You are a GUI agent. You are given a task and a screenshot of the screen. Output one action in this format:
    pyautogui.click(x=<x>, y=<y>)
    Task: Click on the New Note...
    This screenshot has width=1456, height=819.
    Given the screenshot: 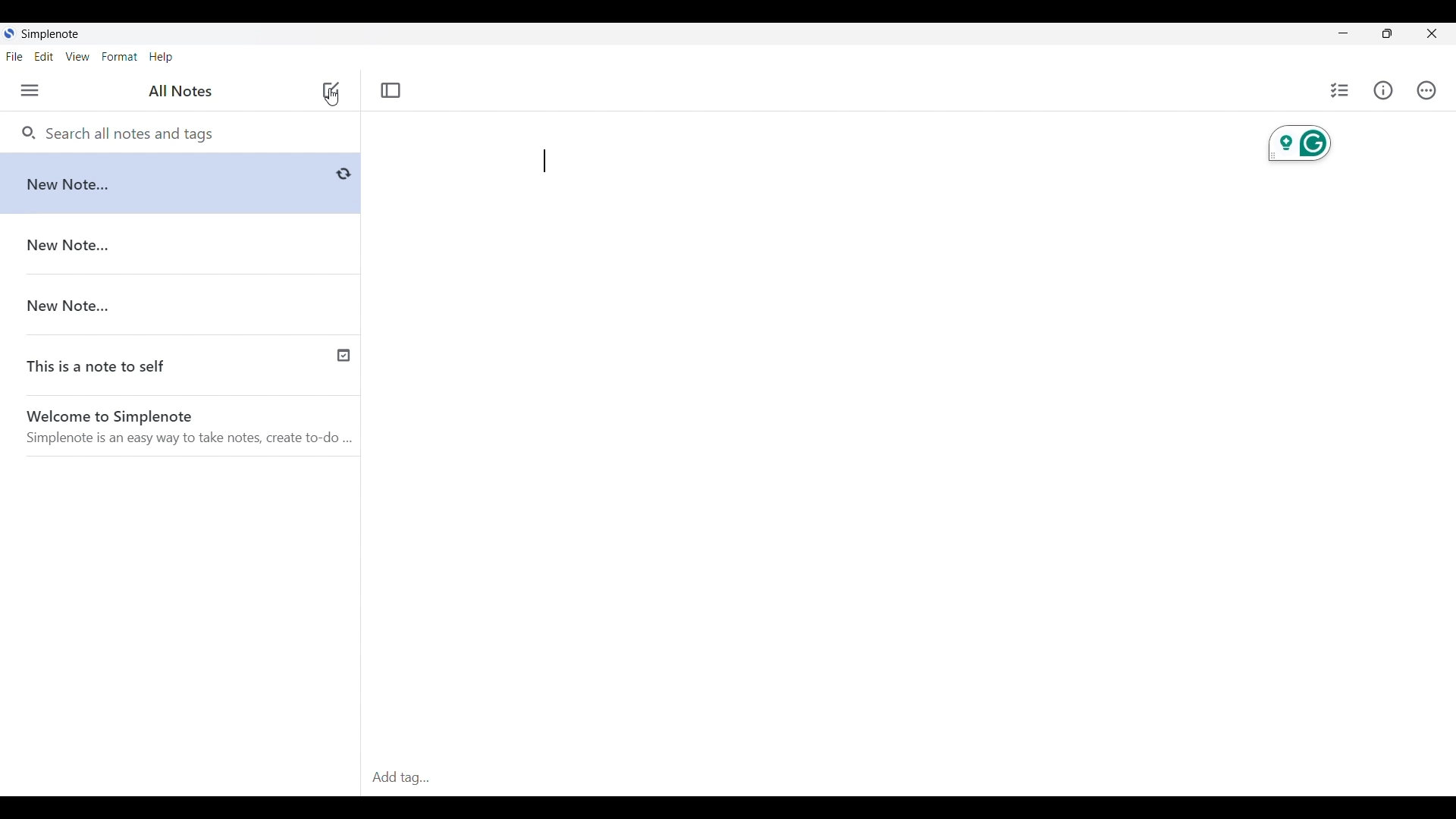 What is the action you would take?
    pyautogui.click(x=173, y=303)
    